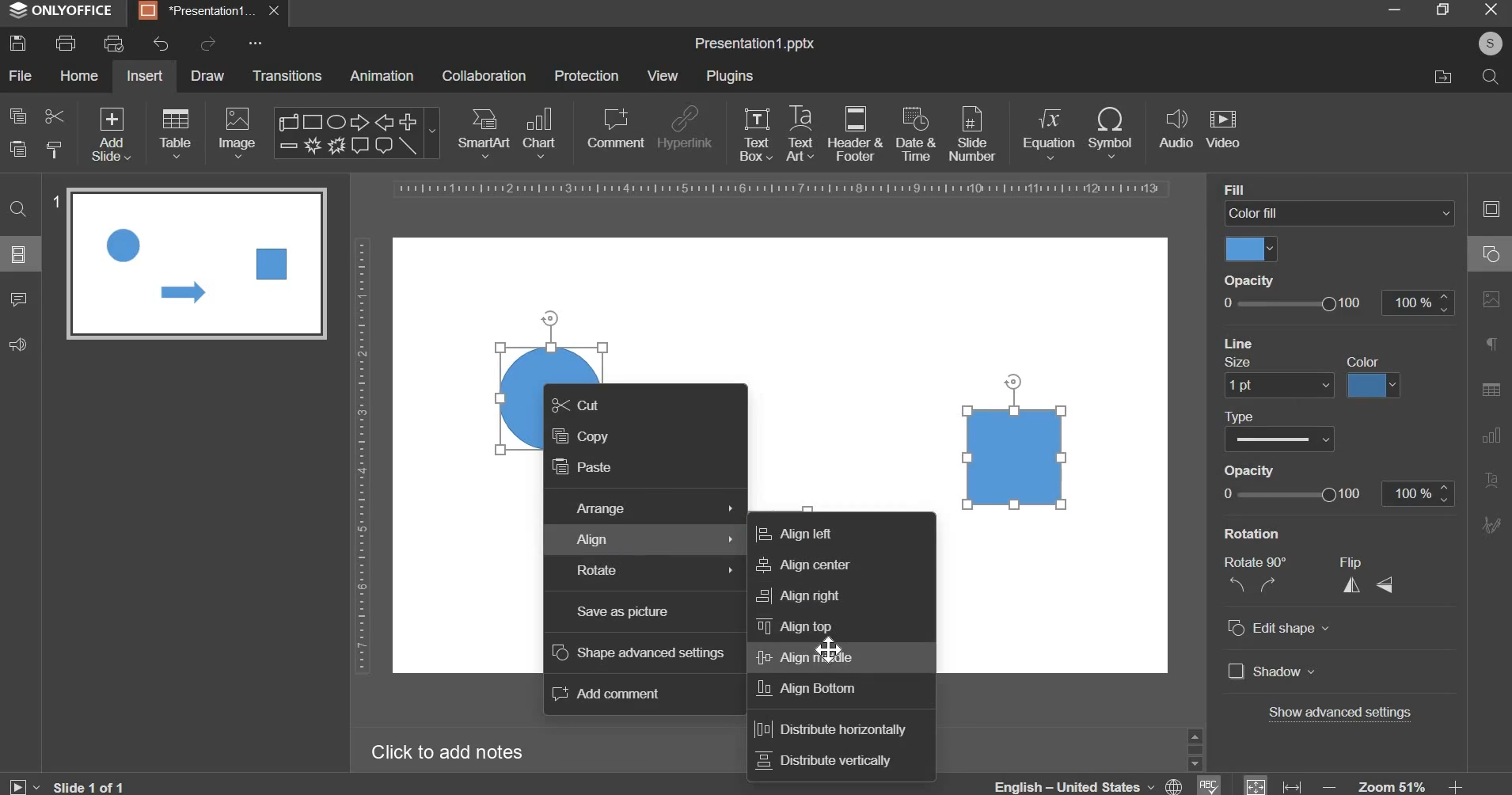 This screenshot has width=1512, height=795. What do you see at coordinates (446, 751) in the screenshot?
I see `Click to add notes` at bounding box center [446, 751].